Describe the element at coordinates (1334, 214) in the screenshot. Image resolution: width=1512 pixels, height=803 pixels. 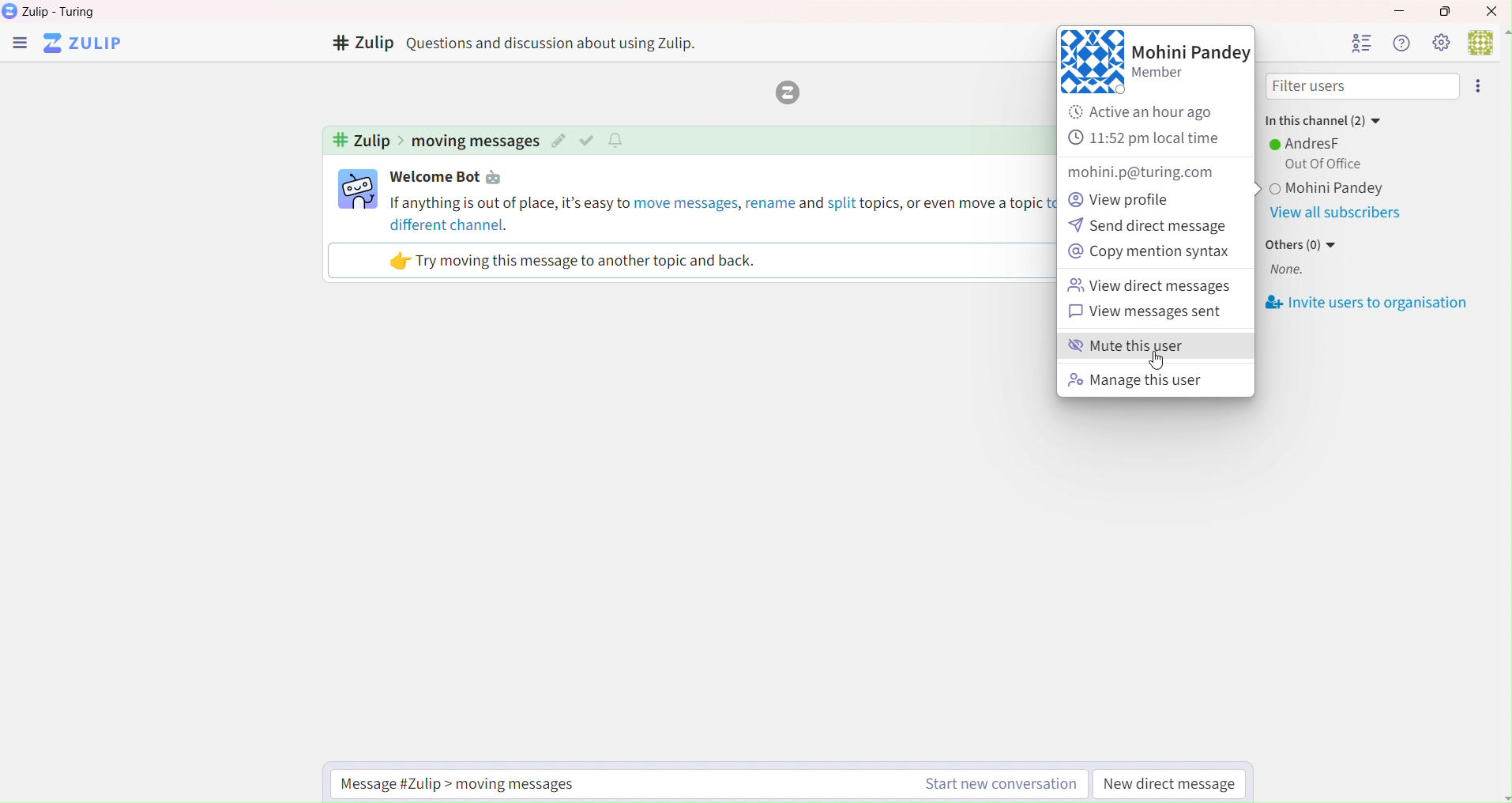
I see `View All subscribers` at that location.